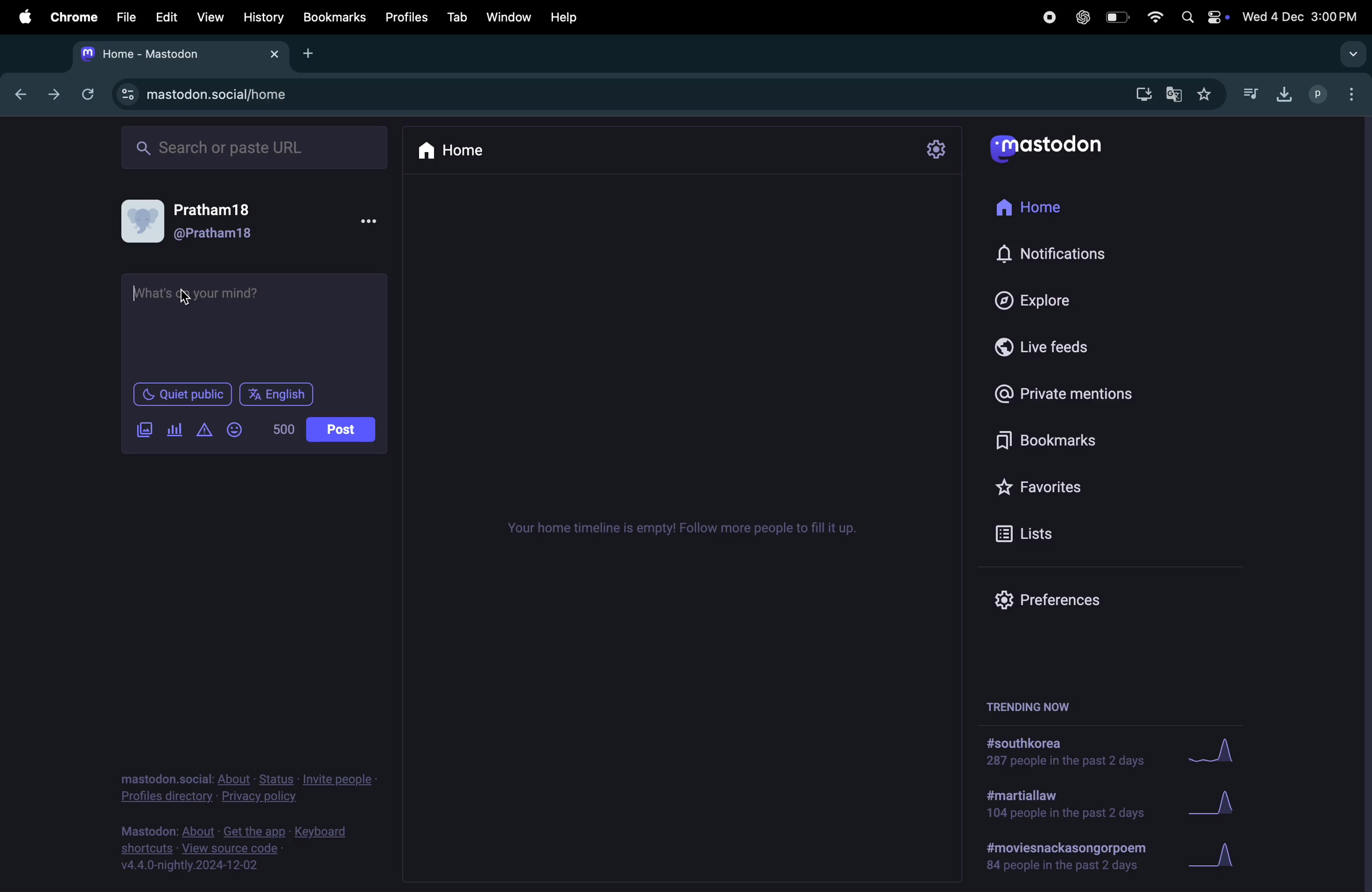 The height and width of the screenshot is (892, 1372). I want to click on history, so click(265, 18).